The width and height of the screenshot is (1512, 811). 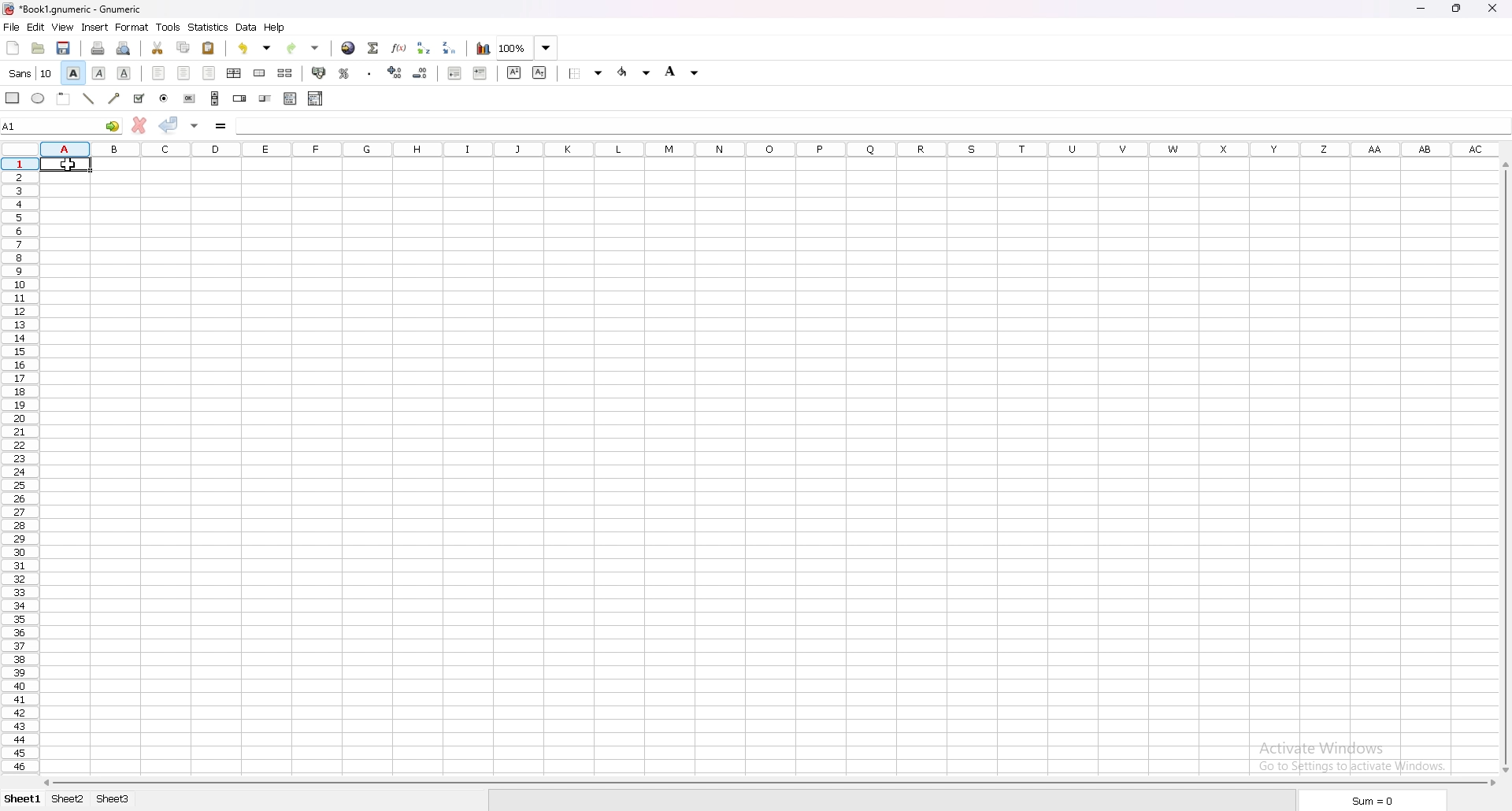 I want to click on zoom, so click(x=528, y=47).